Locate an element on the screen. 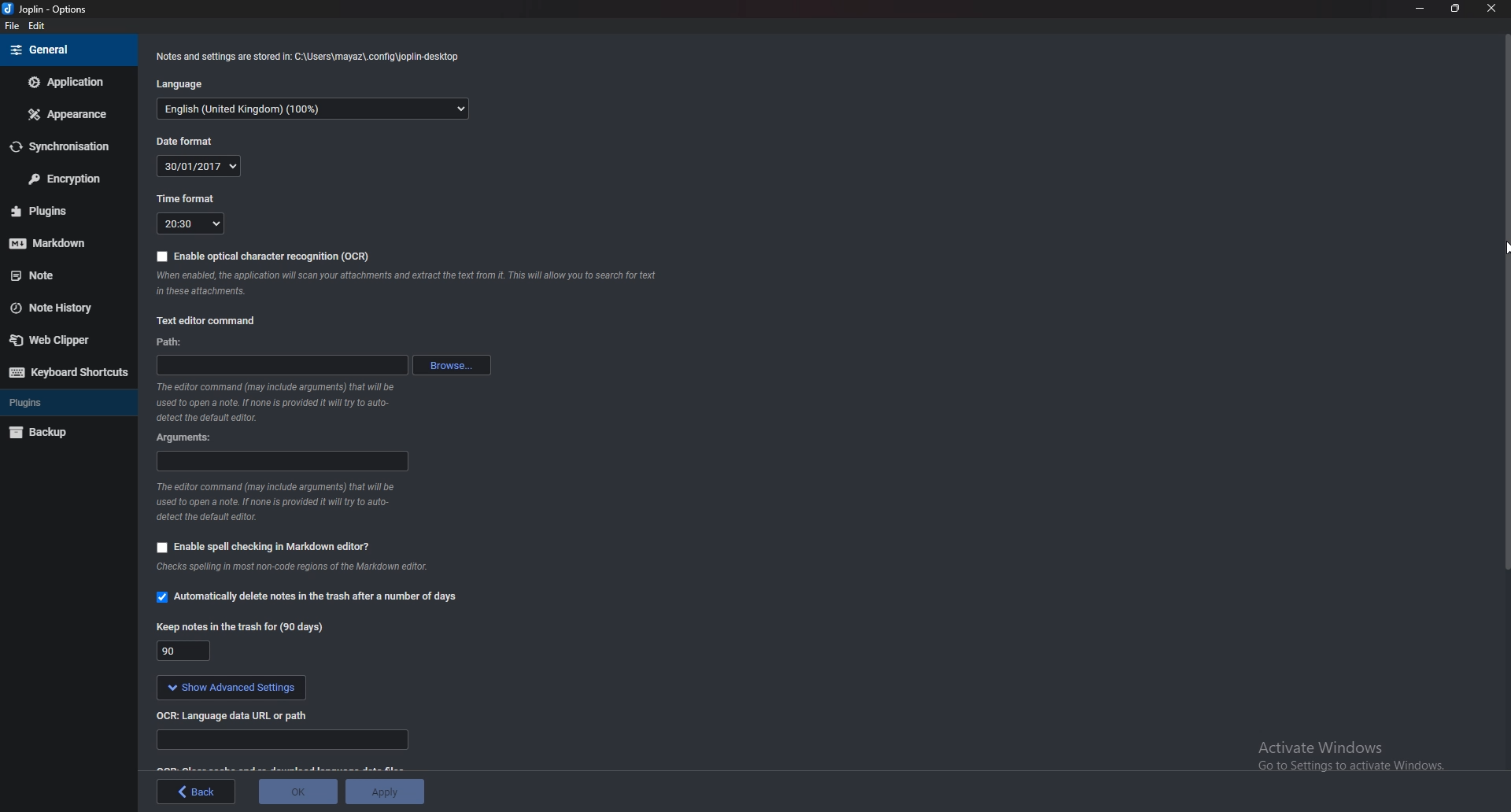  Enable spell checking is located at coordinates (263, 545).